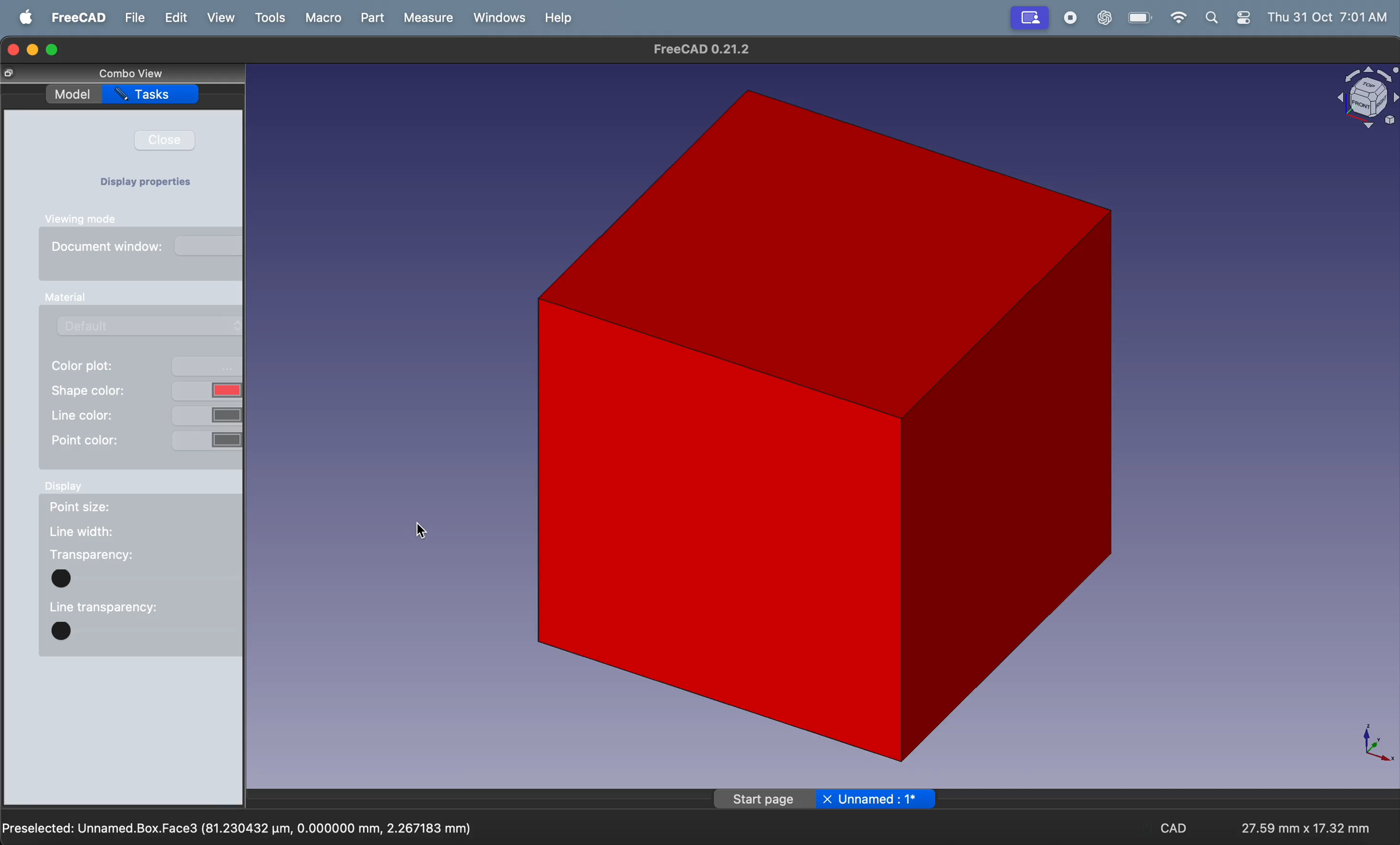 This screenshot has width=1400, height=845. Describe the element at coordinates (145, 440) in the screenshot. I see `point color` at that location.